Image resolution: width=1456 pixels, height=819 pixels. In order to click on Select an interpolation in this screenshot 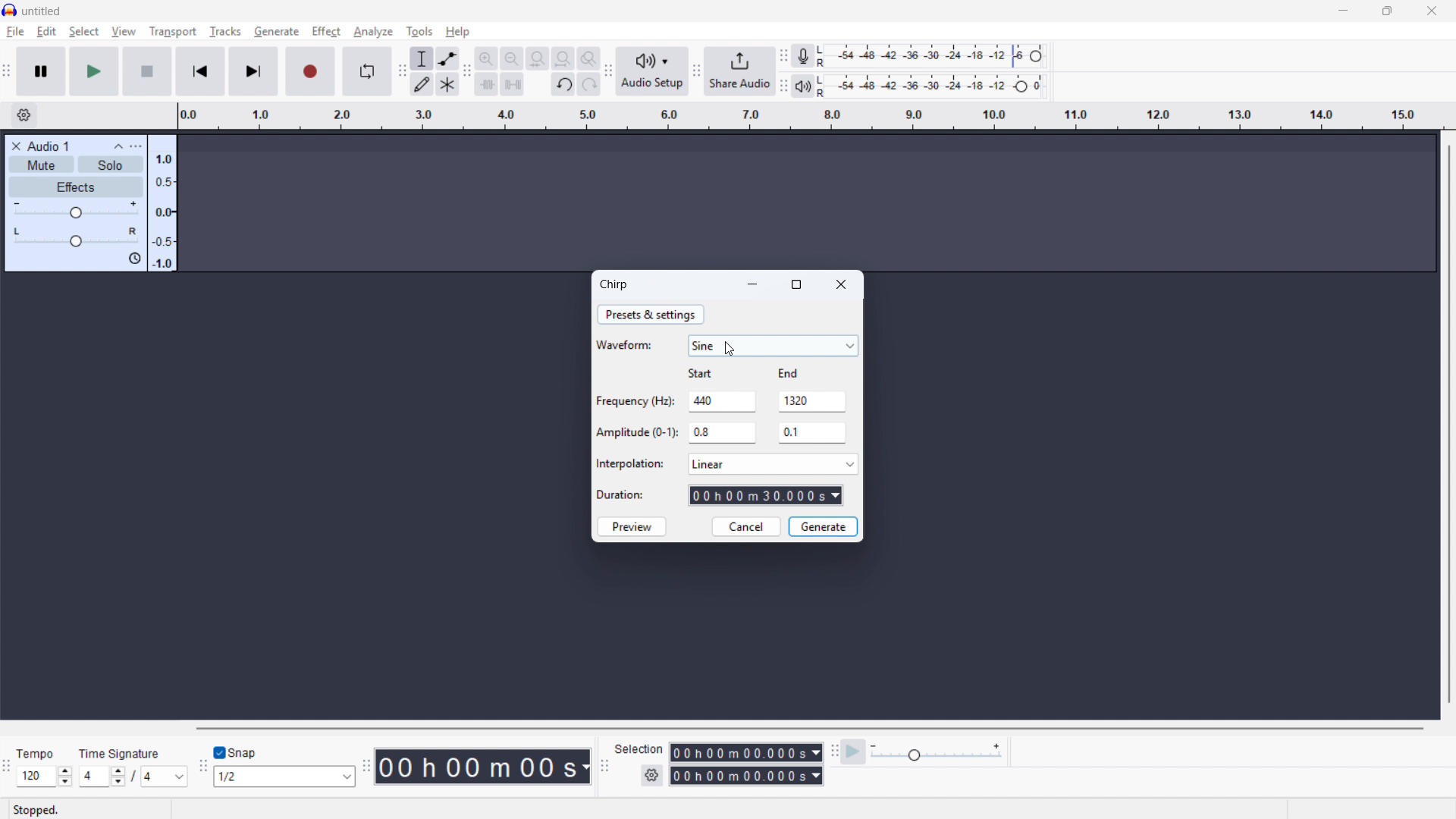, I will do `click(772, 463)`.